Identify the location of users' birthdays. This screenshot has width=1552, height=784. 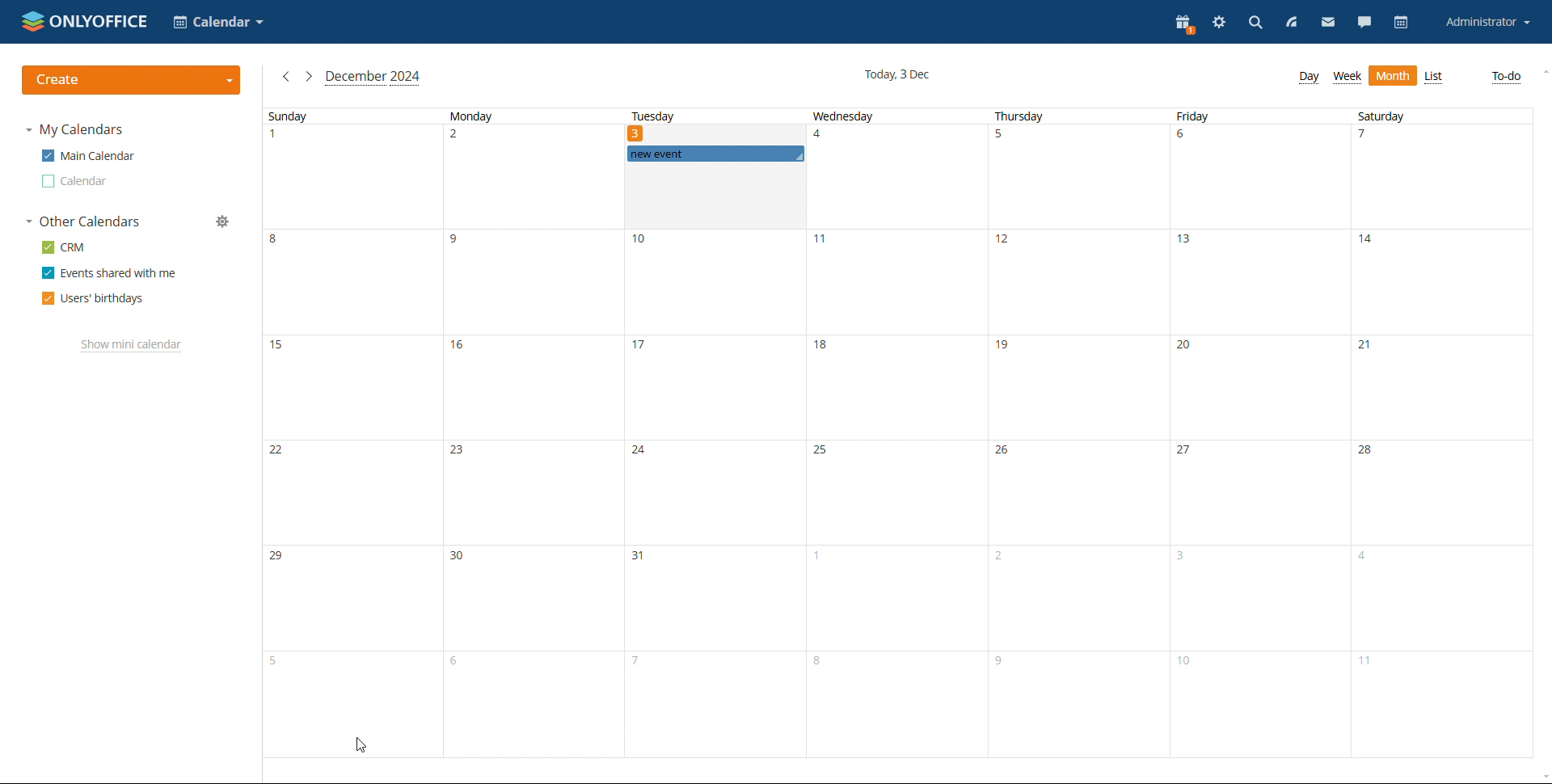
(94, 298).